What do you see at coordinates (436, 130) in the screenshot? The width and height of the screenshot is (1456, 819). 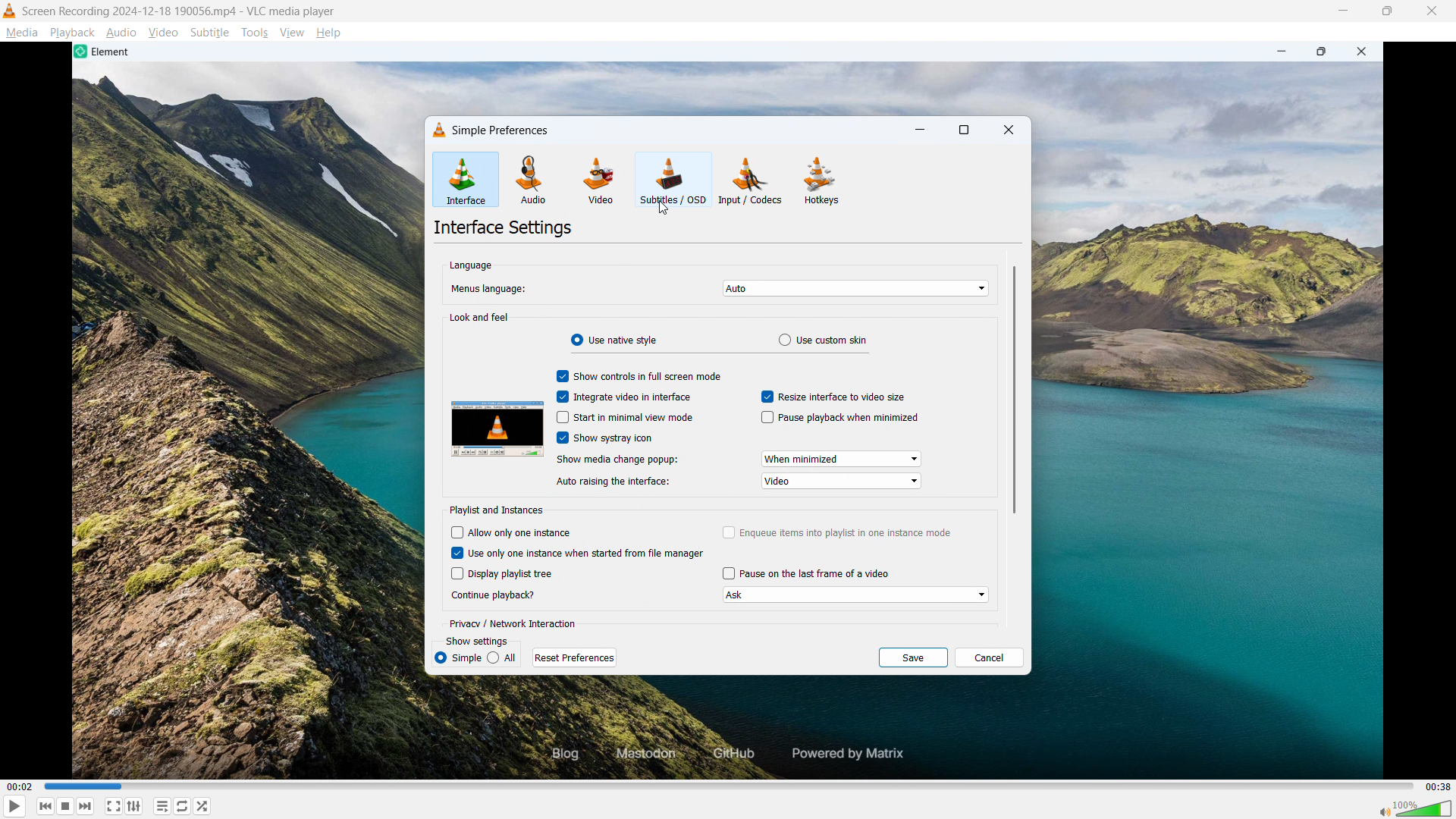 I see `VLC logo` at bounding box center [436, 130].